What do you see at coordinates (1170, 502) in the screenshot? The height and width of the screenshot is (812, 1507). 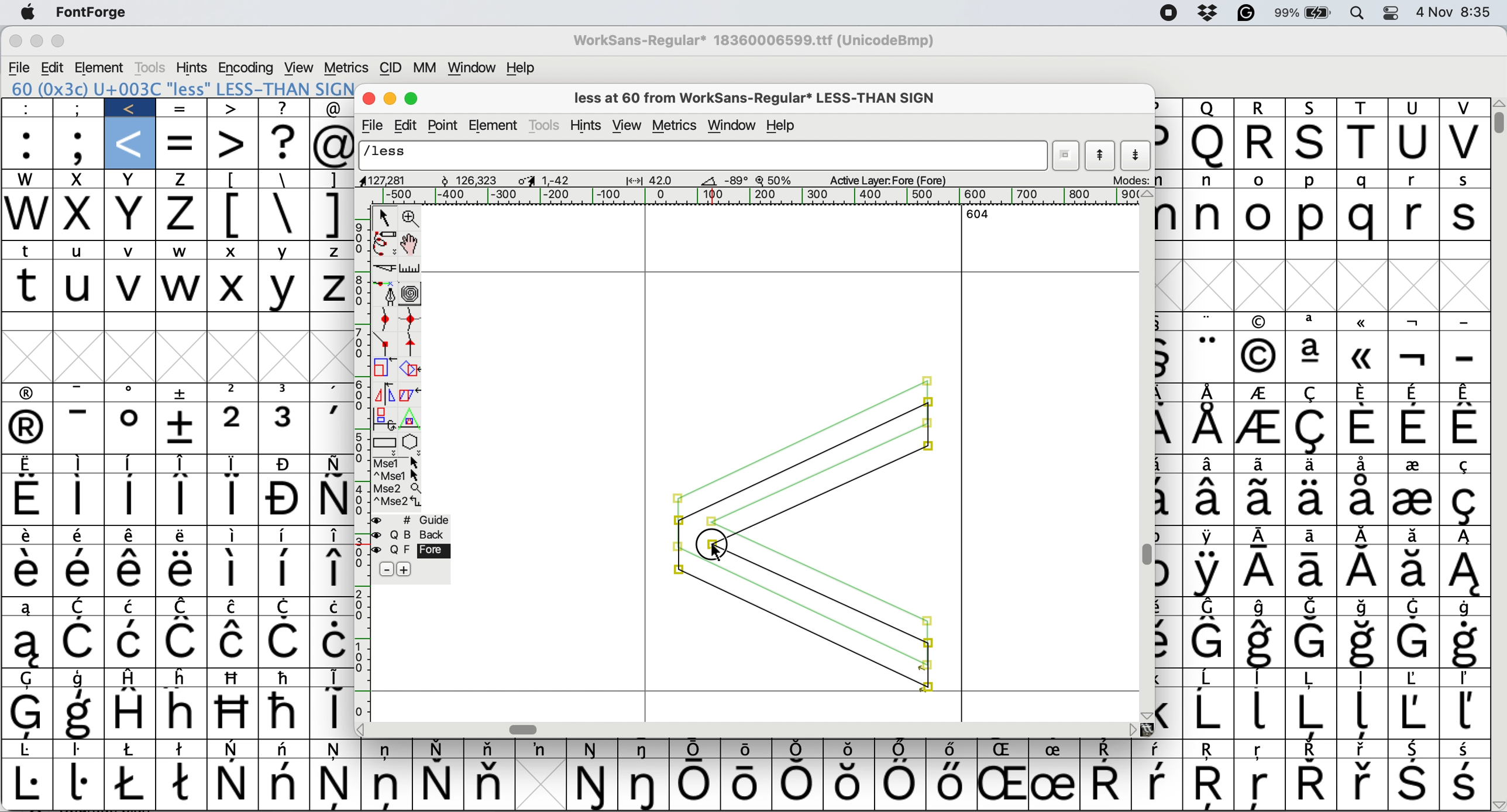 I see `Symbol` at bounding box center [1170, 502].